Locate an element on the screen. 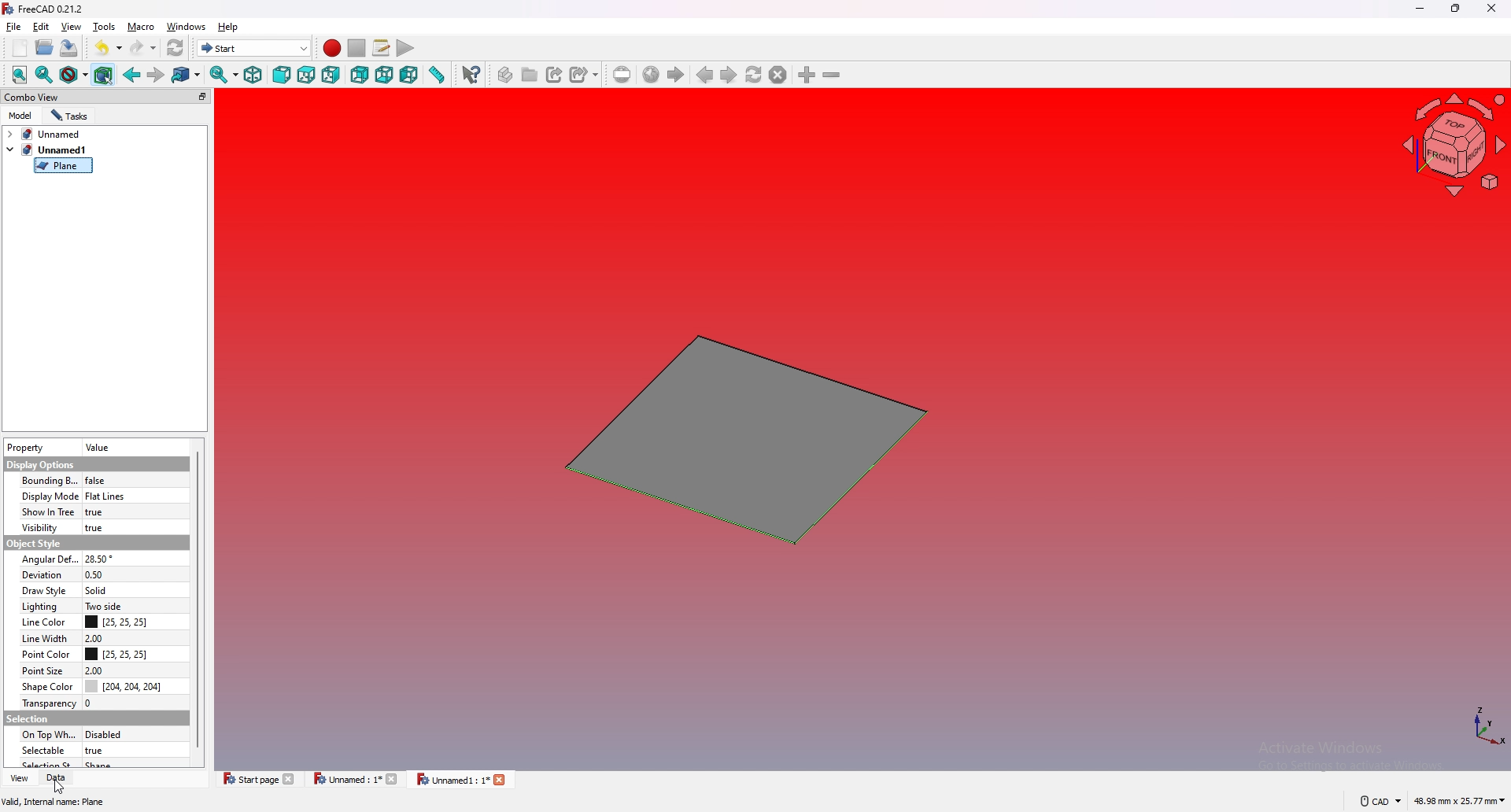 The width and height of the screenshot is (1511, 812). 48.98 mm x 25.77 mm is located at coordinates (1461, 802).